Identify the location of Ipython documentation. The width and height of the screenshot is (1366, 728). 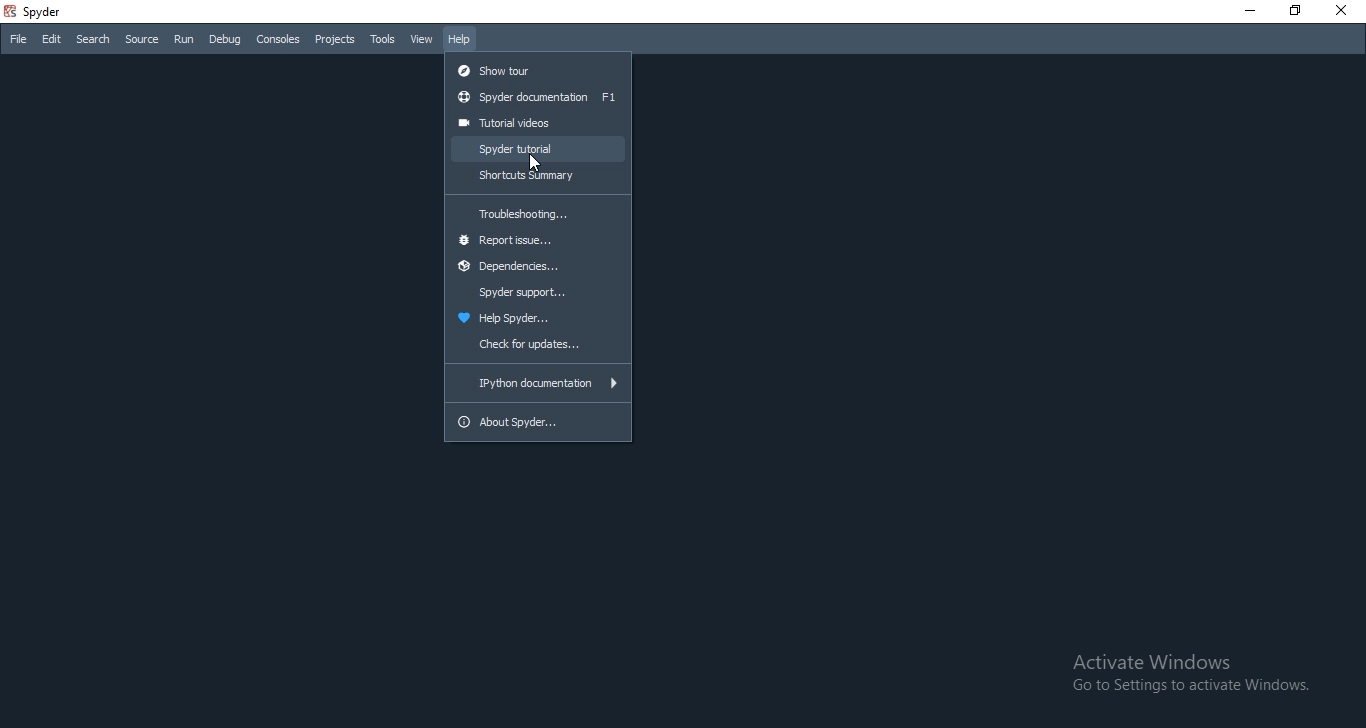
(536, 383).